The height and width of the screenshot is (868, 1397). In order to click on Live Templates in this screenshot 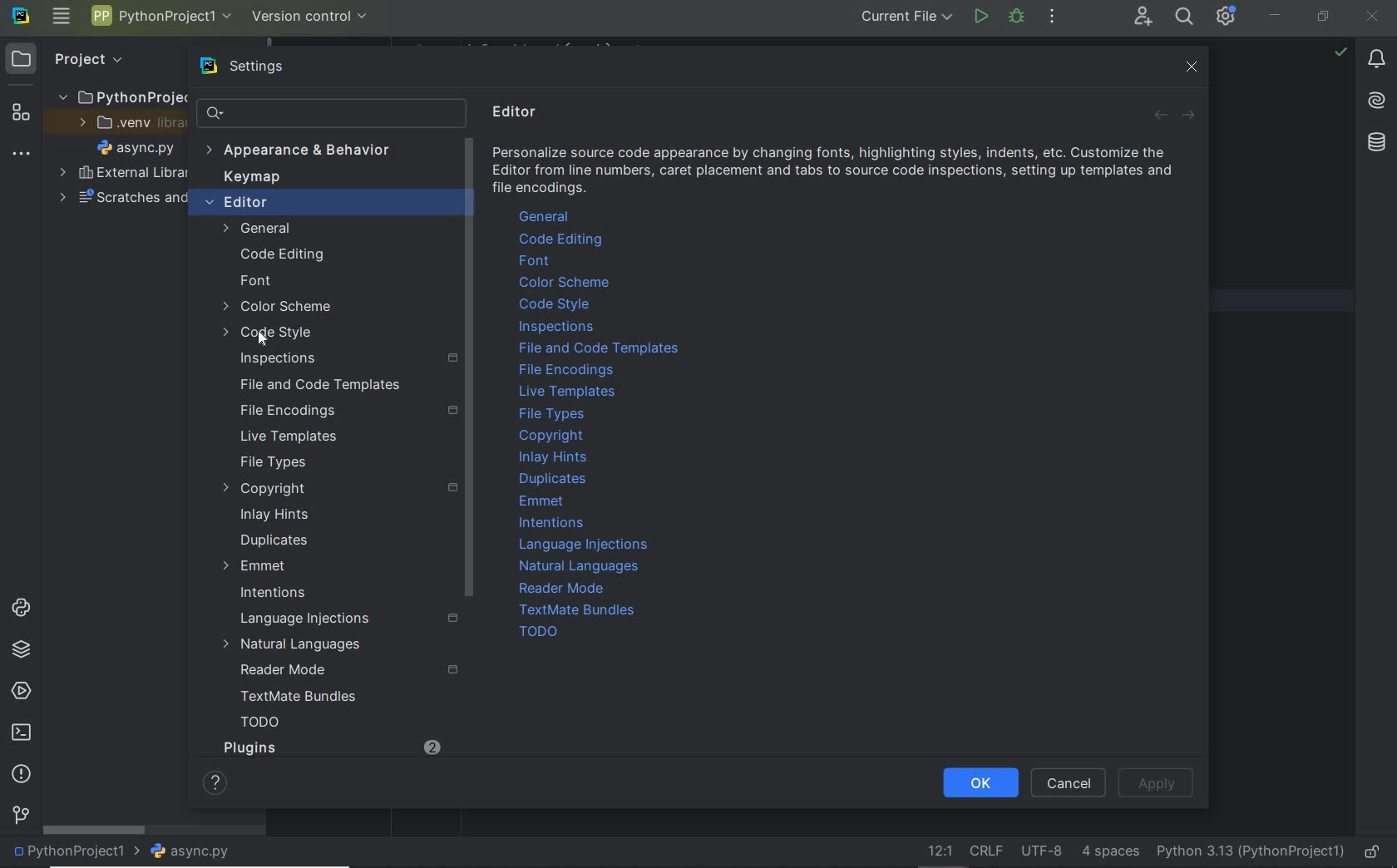, I will do `click(286, 437)`.